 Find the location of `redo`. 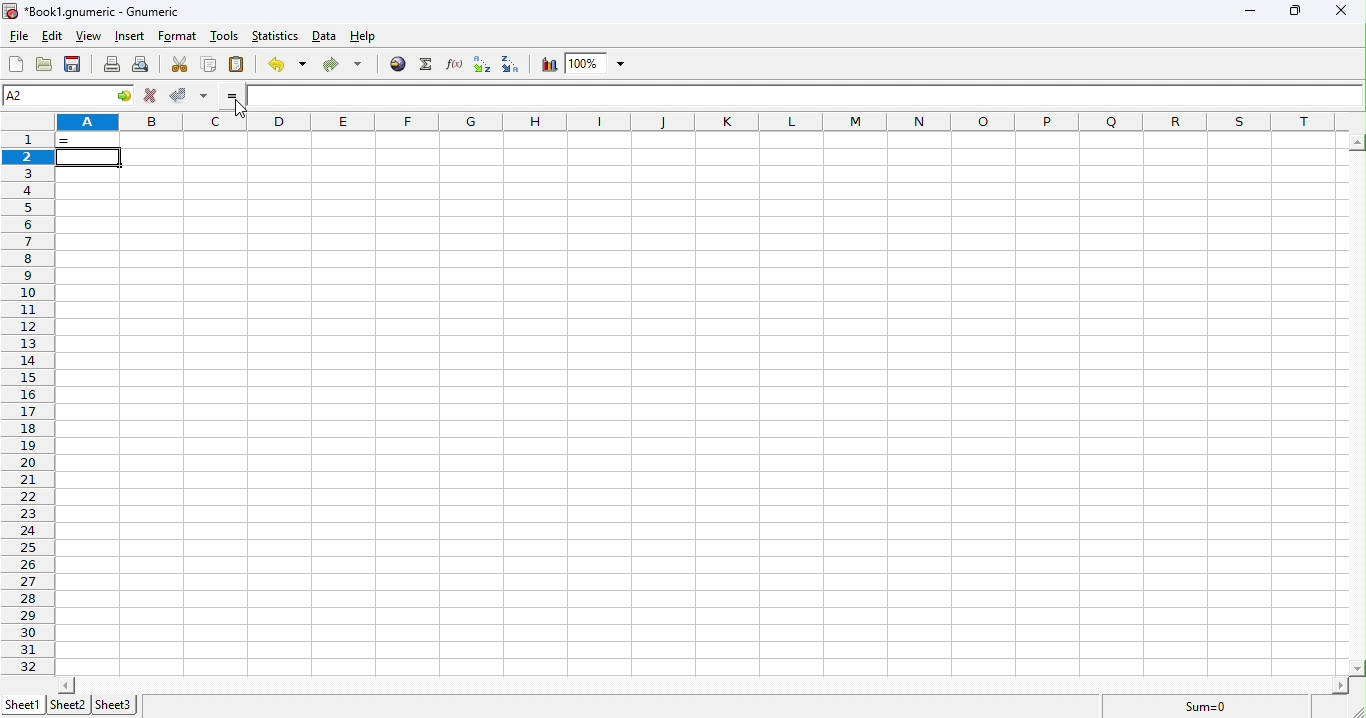

redo is located at coordinates (346, 66).